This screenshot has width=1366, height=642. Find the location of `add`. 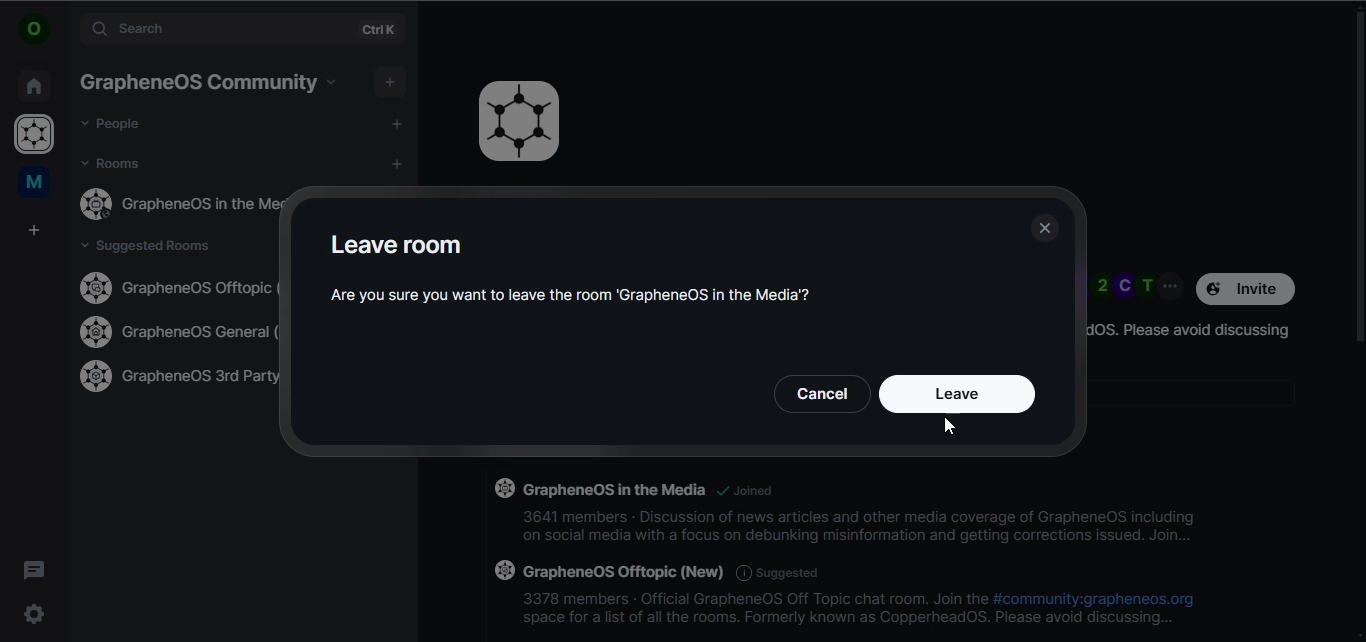

add is located at coordinates (392, 80).